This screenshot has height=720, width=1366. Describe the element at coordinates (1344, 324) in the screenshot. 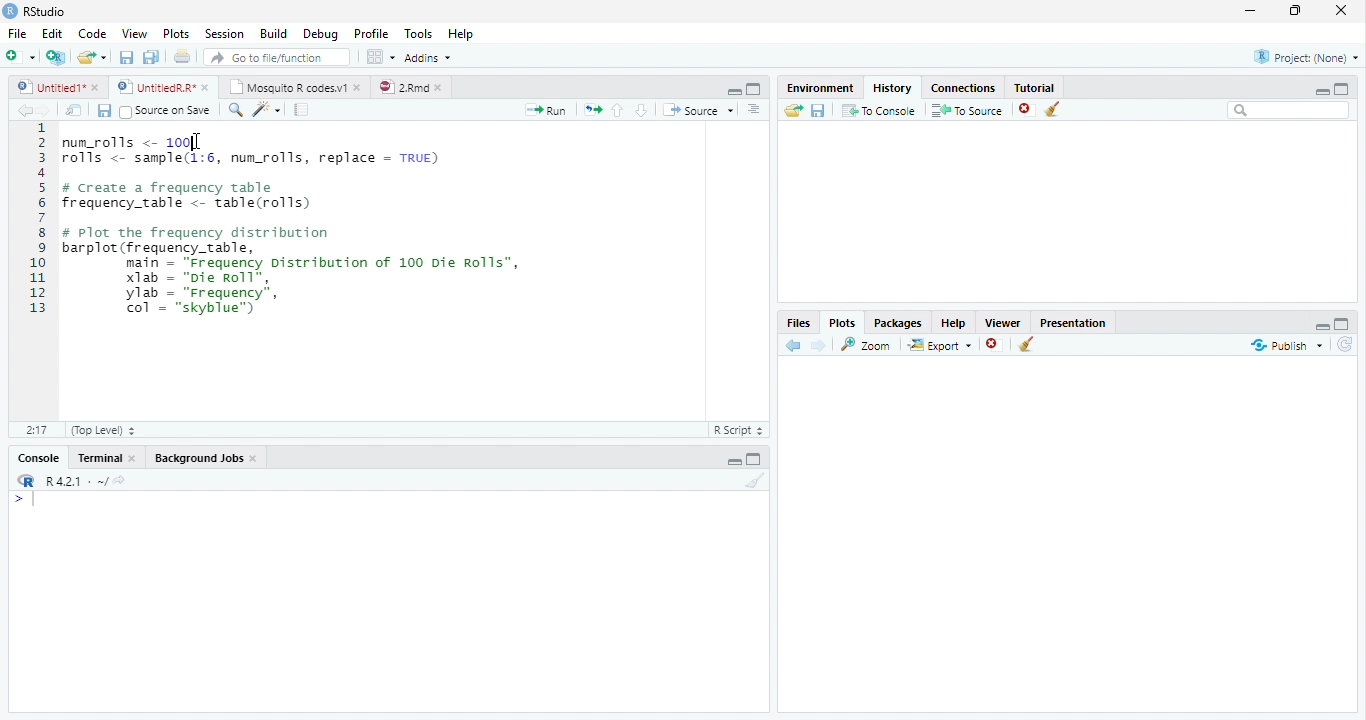

I see `Full Height` at that location.